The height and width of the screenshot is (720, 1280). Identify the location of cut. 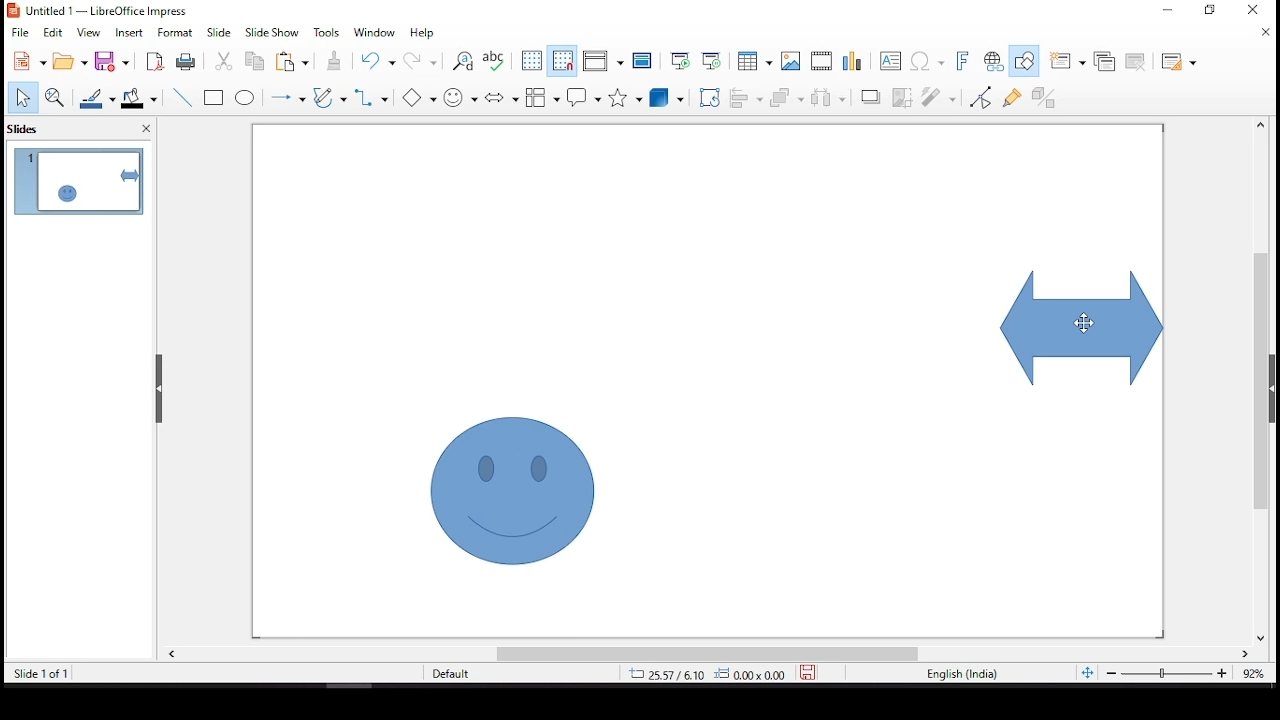
(221, 61).